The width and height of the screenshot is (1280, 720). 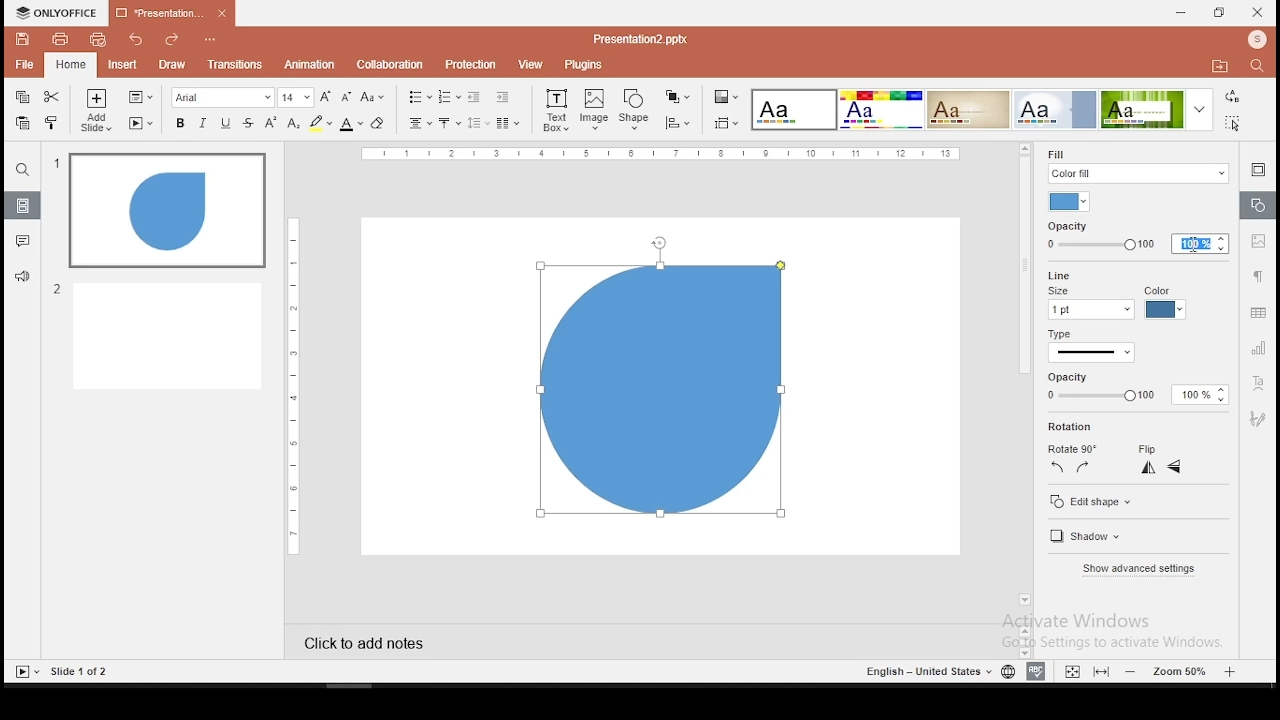 I want to click on flip, so click(x=1148, y=450).